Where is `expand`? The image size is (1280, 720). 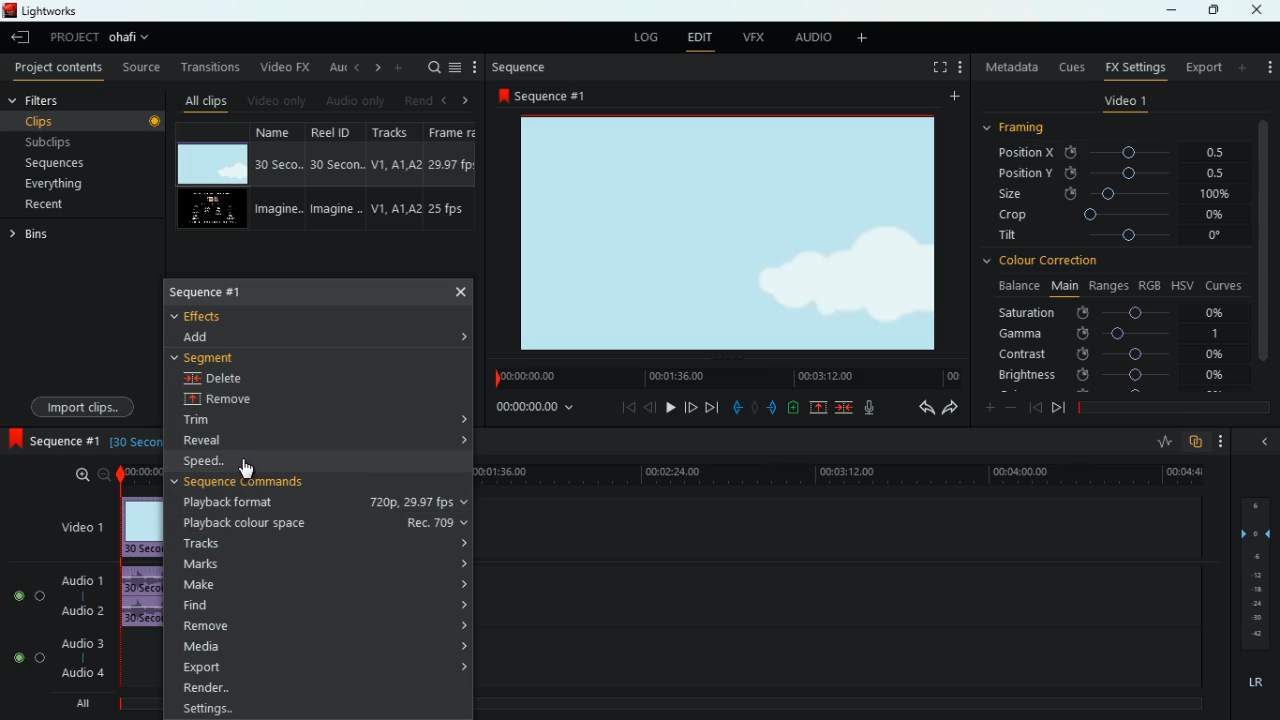 expand is located at coordinates (461, 604).